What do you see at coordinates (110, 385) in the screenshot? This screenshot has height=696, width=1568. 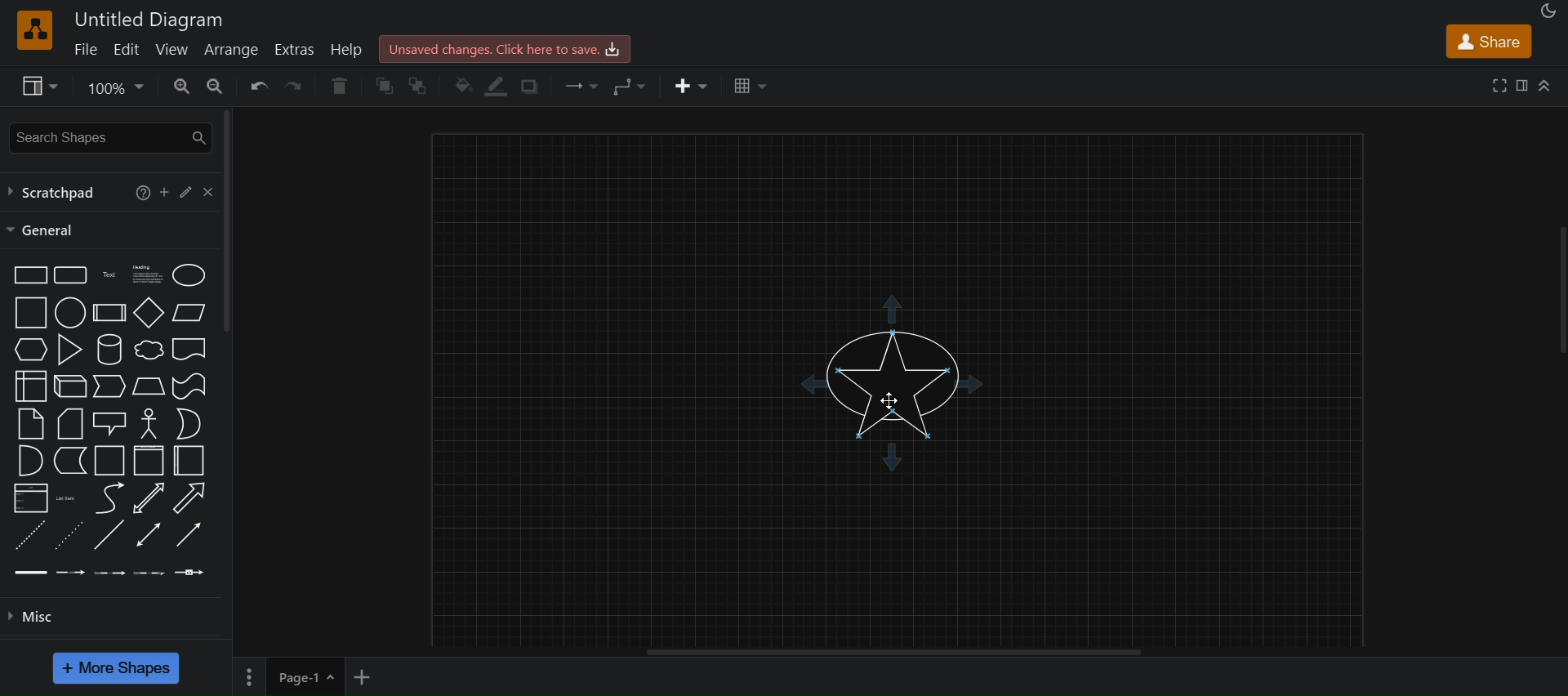 I see `step ` at bounding box center [110, 385].